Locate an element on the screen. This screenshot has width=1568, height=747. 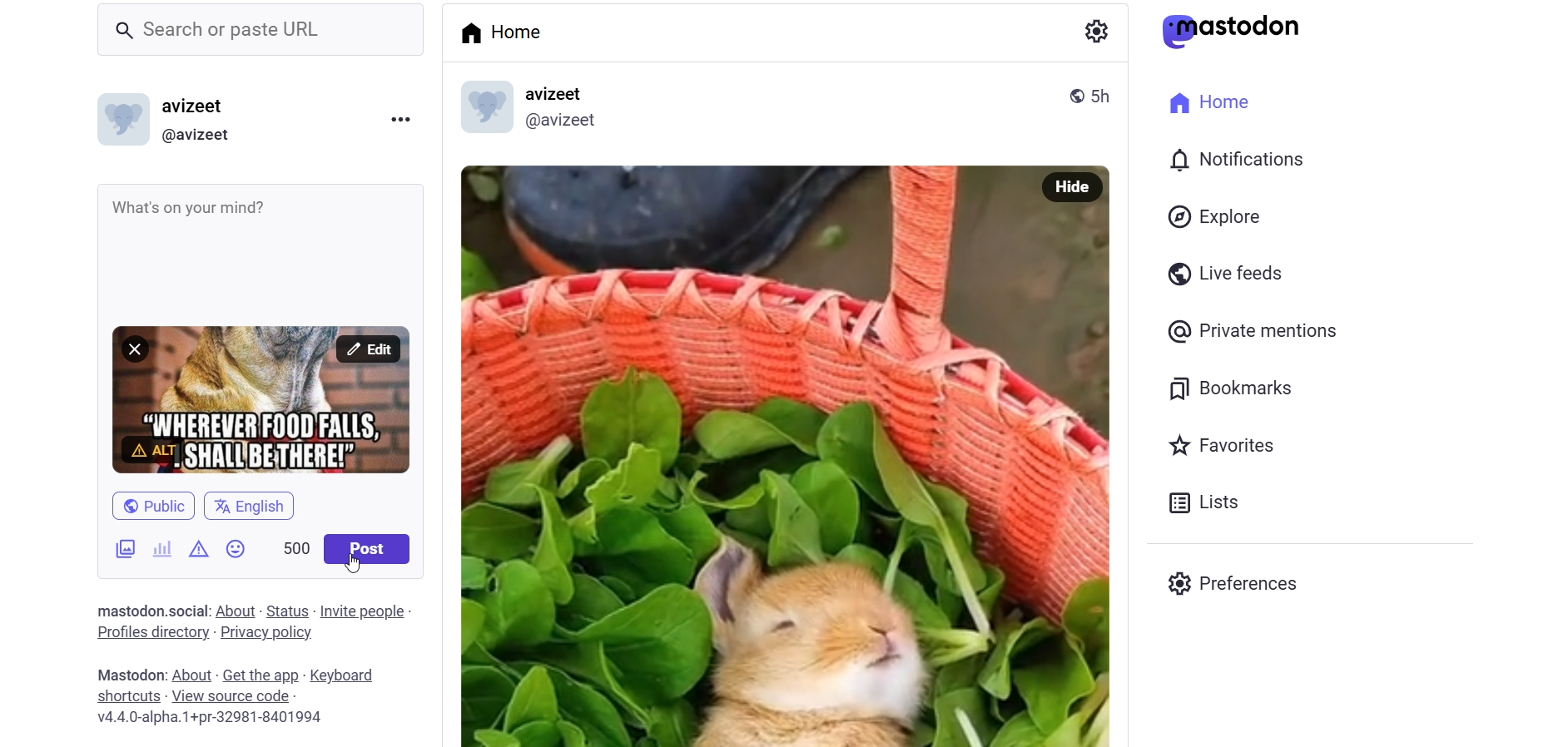
privacy policy is located at coordinates (266, 635).